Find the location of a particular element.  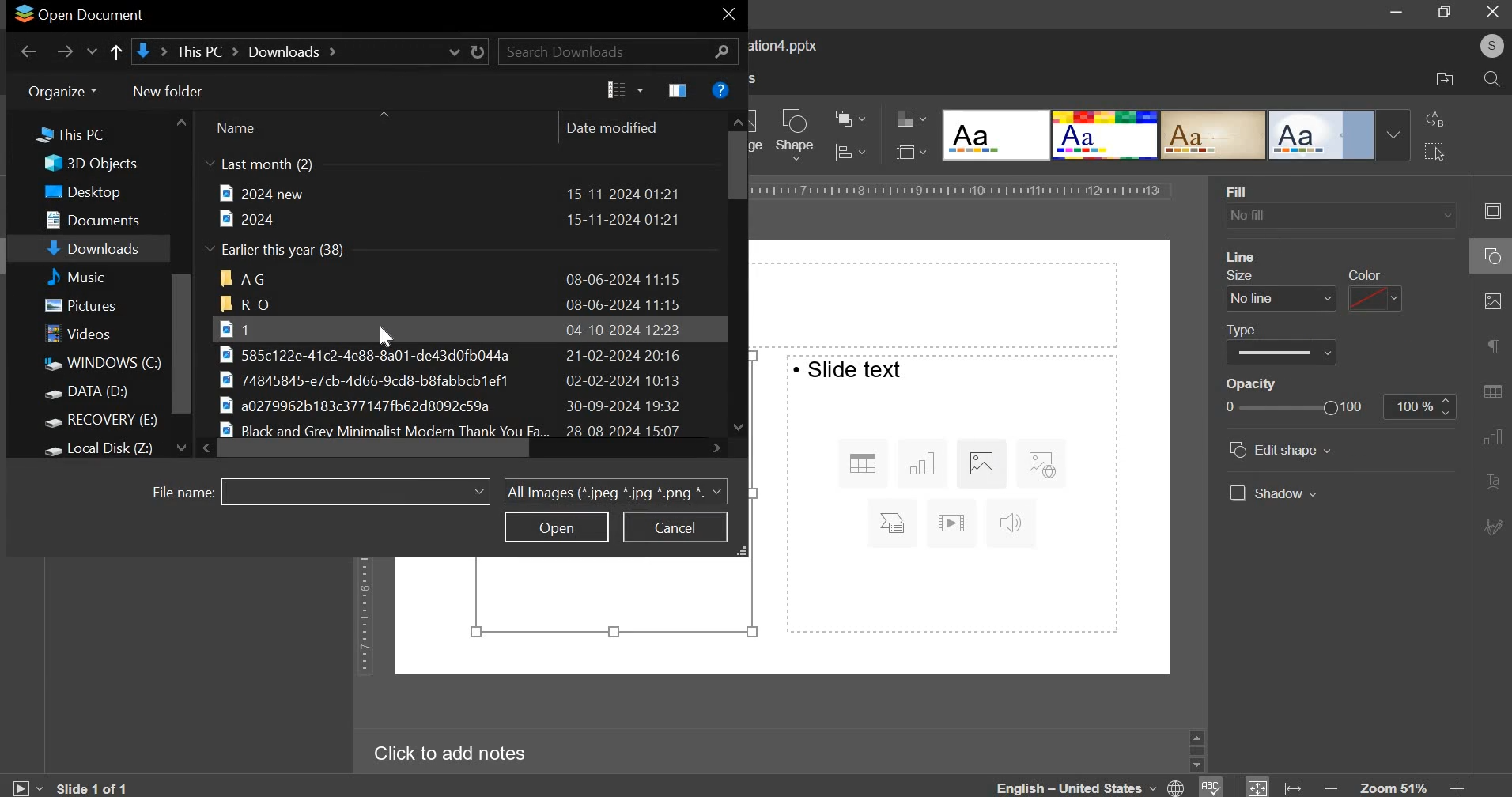

color is located at coordinates (1369, 274).